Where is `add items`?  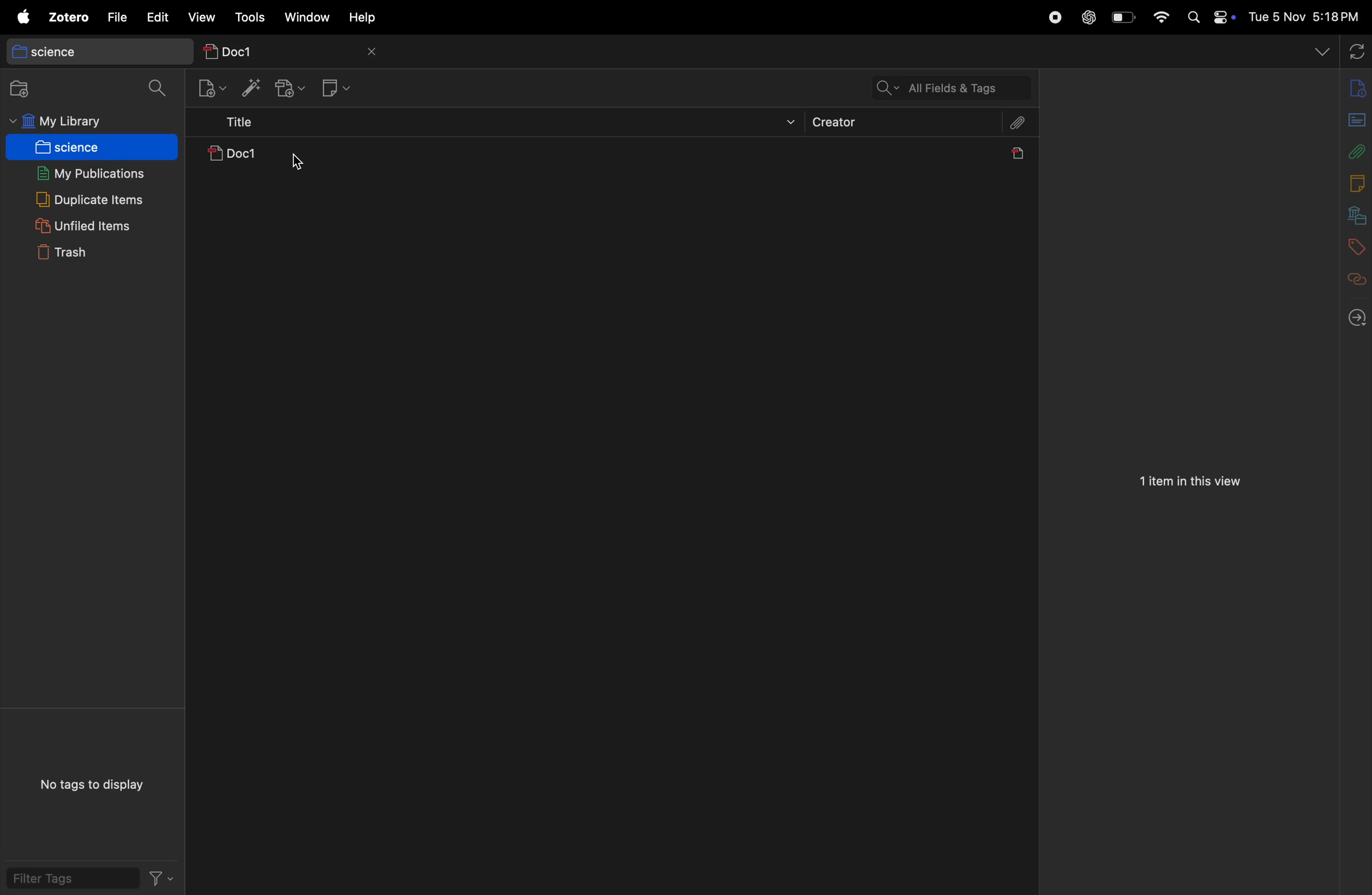 add items is located at coordinates (247, 87).